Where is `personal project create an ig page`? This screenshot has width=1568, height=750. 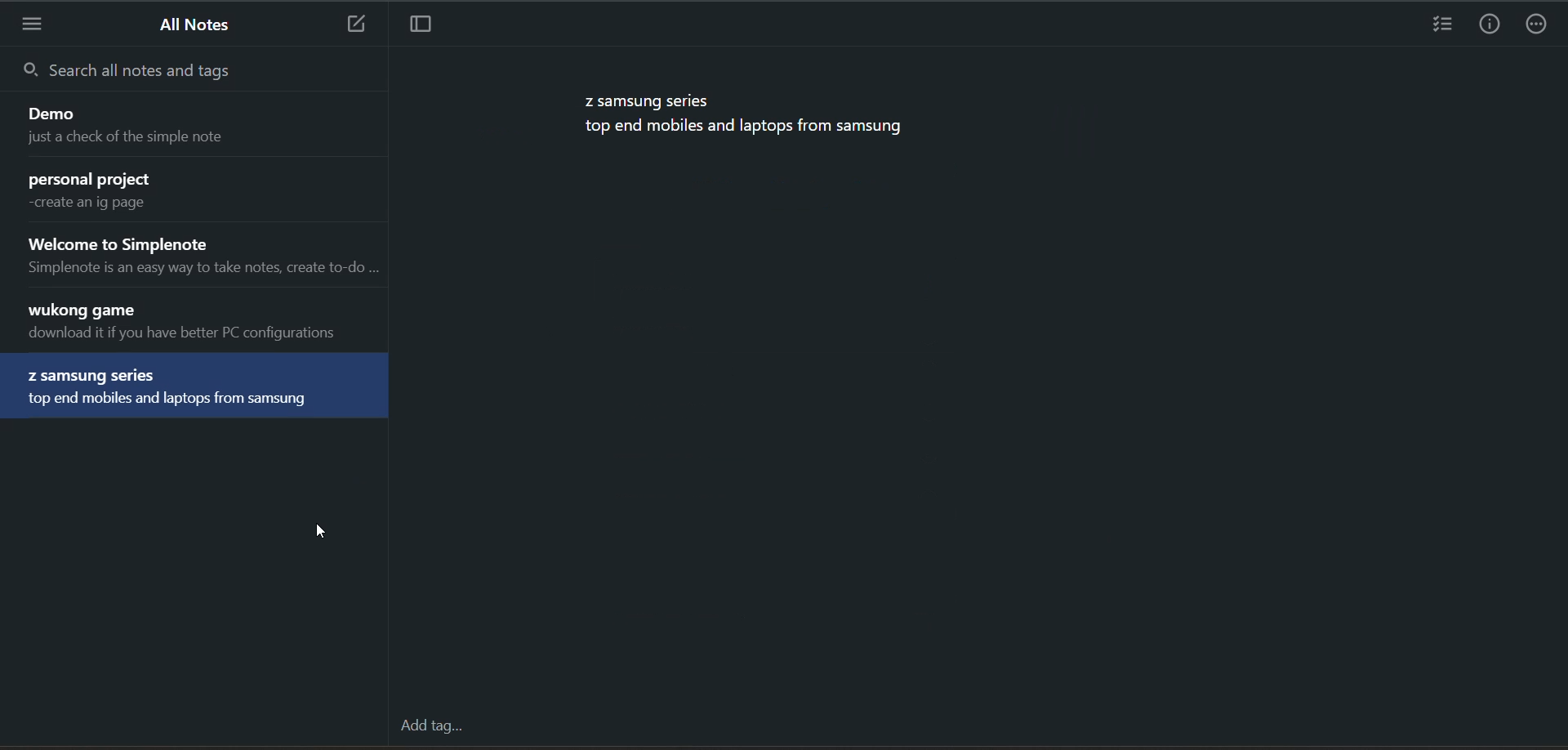
personal project create an ig page is located at coordinates (198, 193).